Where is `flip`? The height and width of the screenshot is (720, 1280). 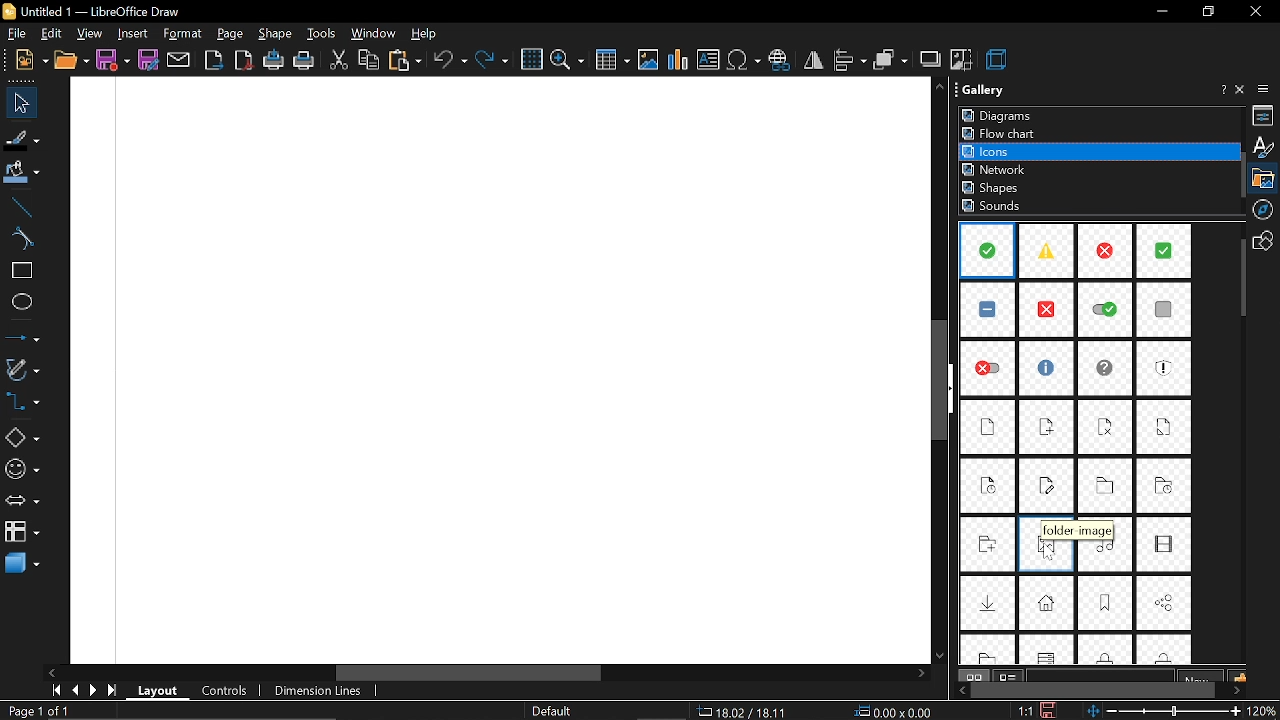
flip is located at coordinates (812, 63).